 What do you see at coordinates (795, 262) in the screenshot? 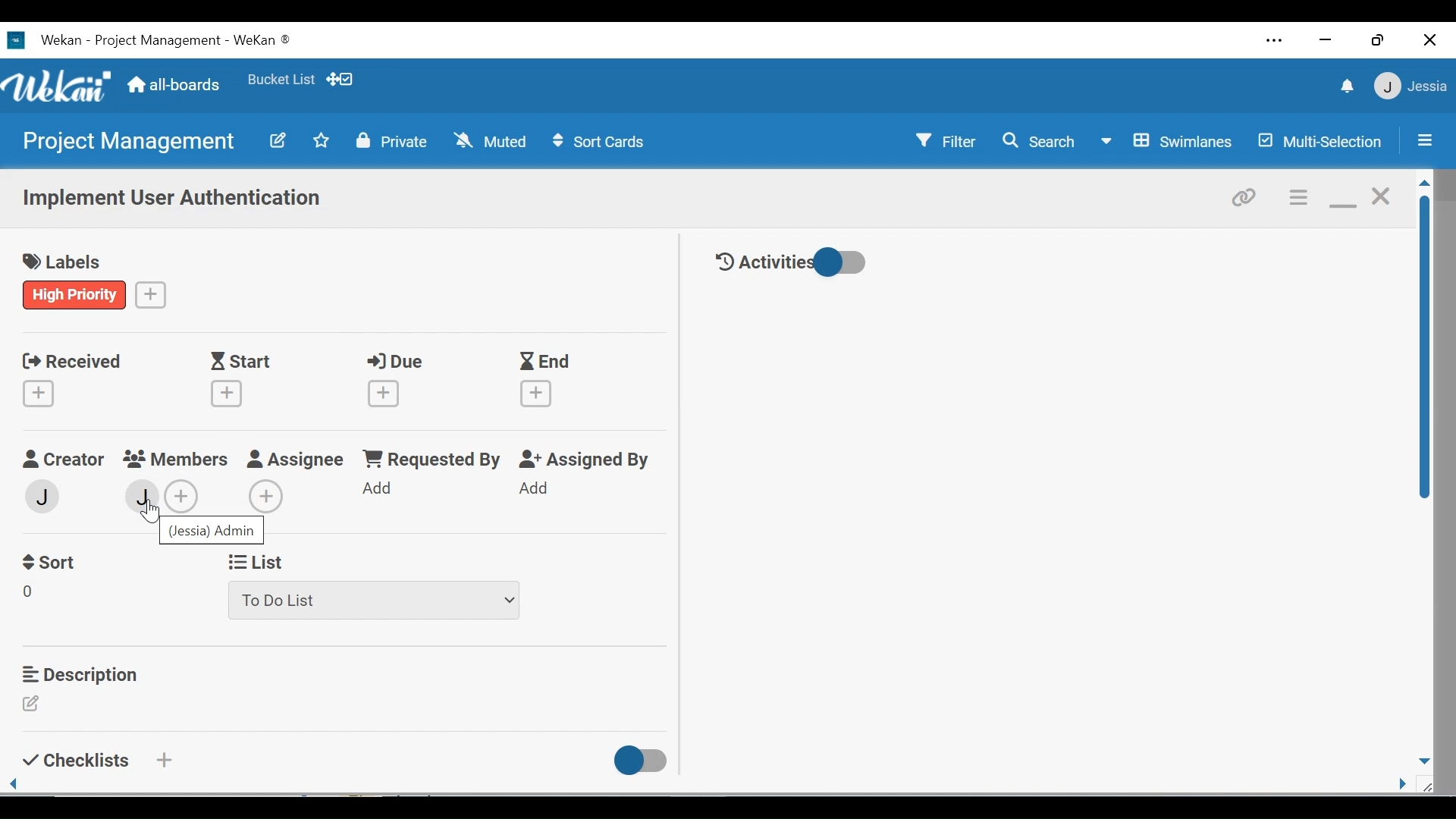
I see `toggle Activities` at bounding box center [795, 262].